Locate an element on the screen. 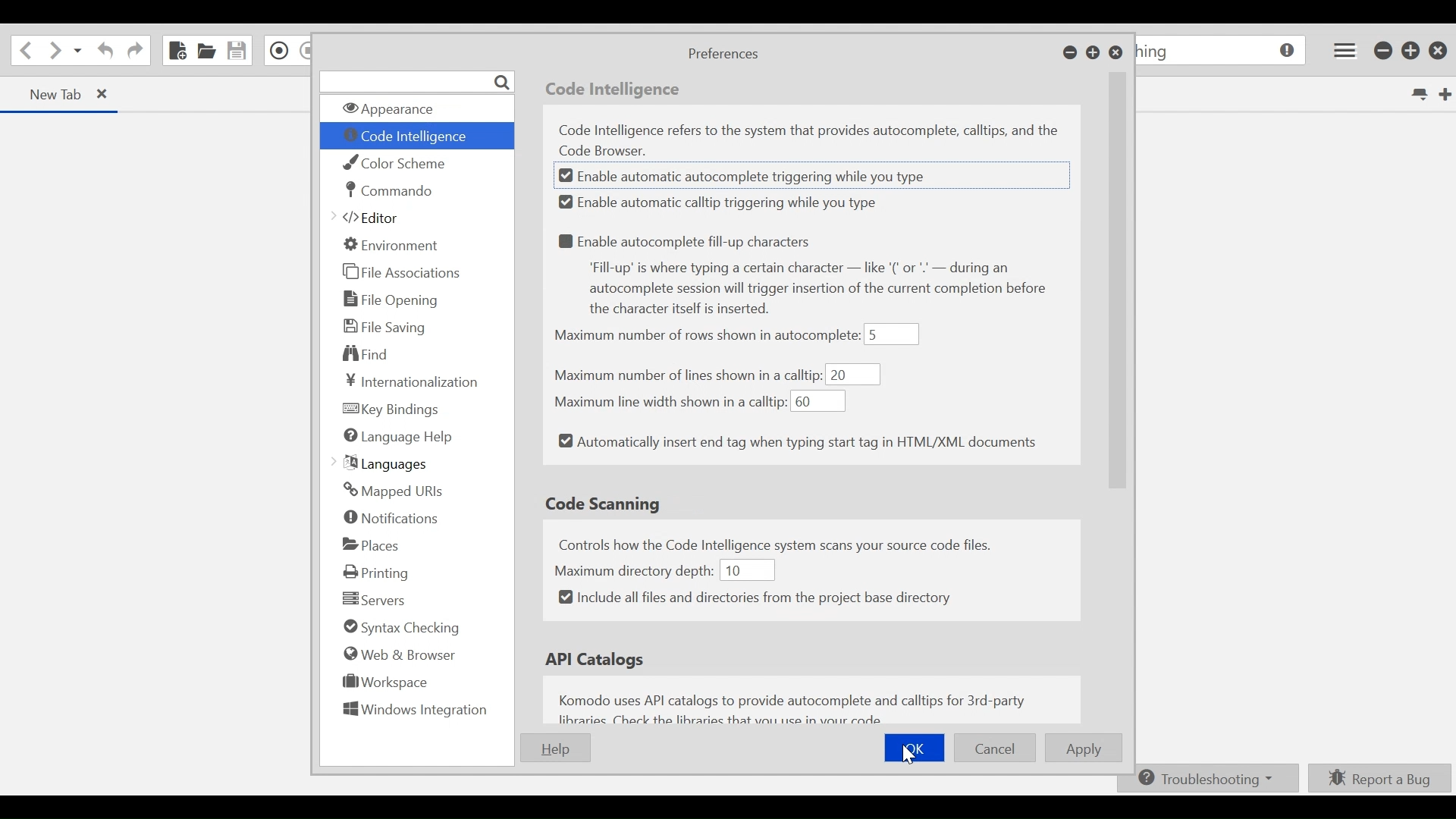  cursor is located at coordinates (913, 759).